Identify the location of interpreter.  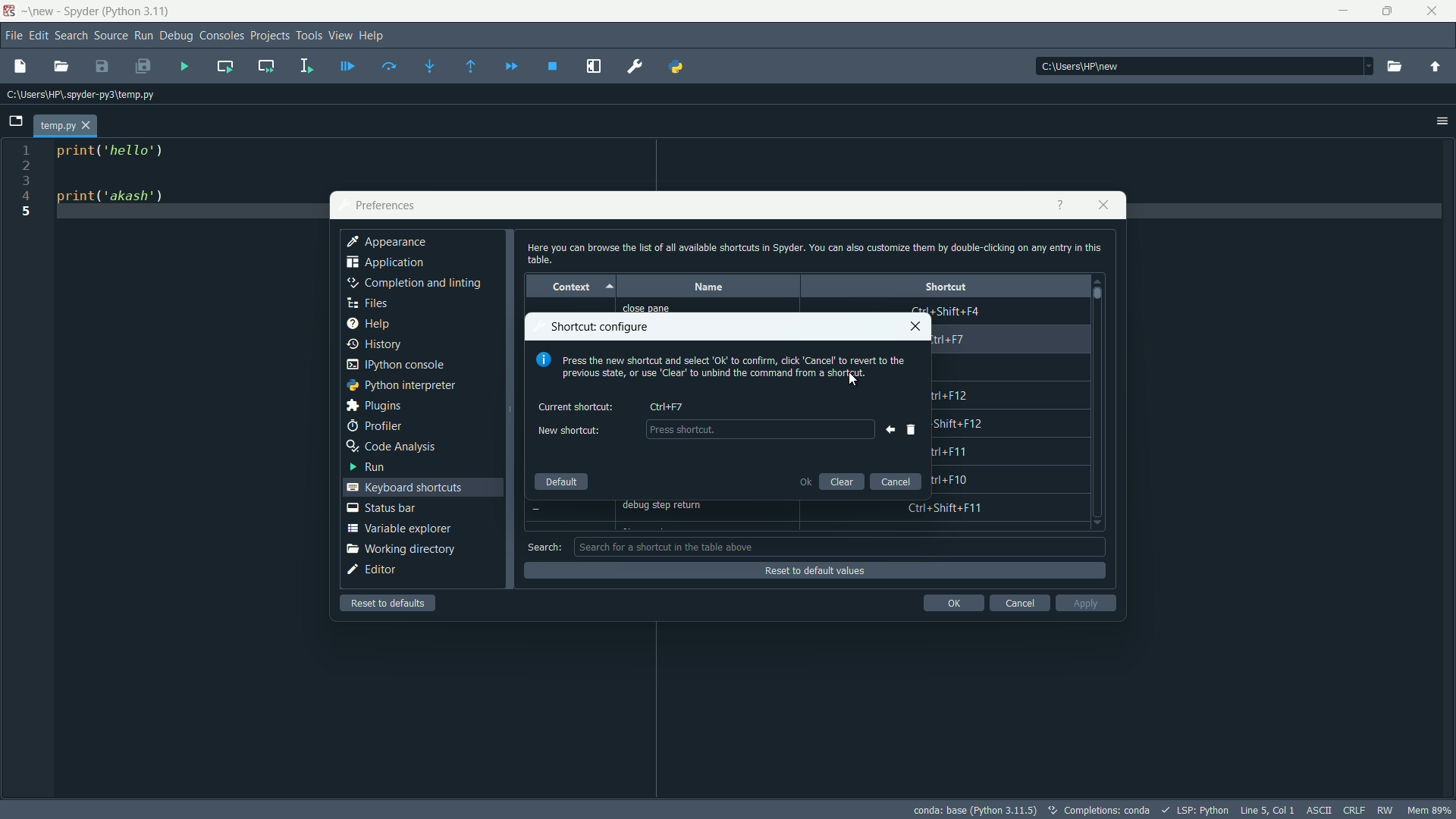
(974, 810).